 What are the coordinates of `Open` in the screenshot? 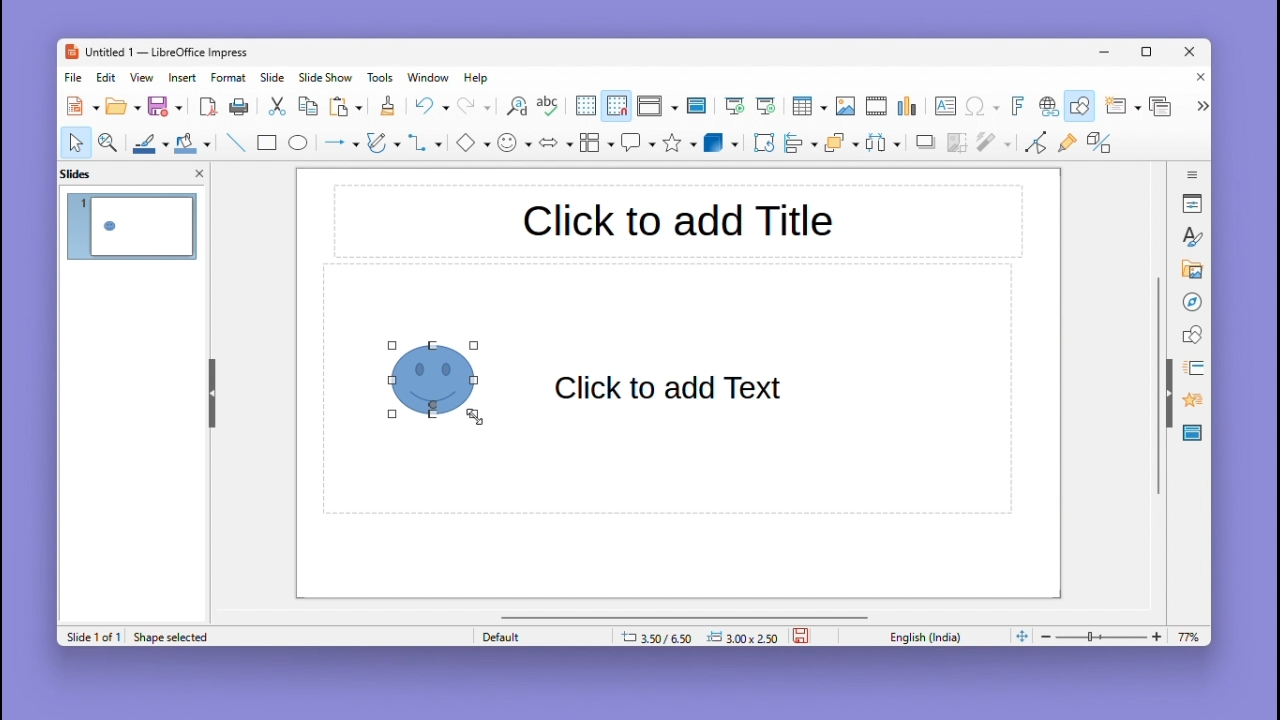 It's located at (123, 107).